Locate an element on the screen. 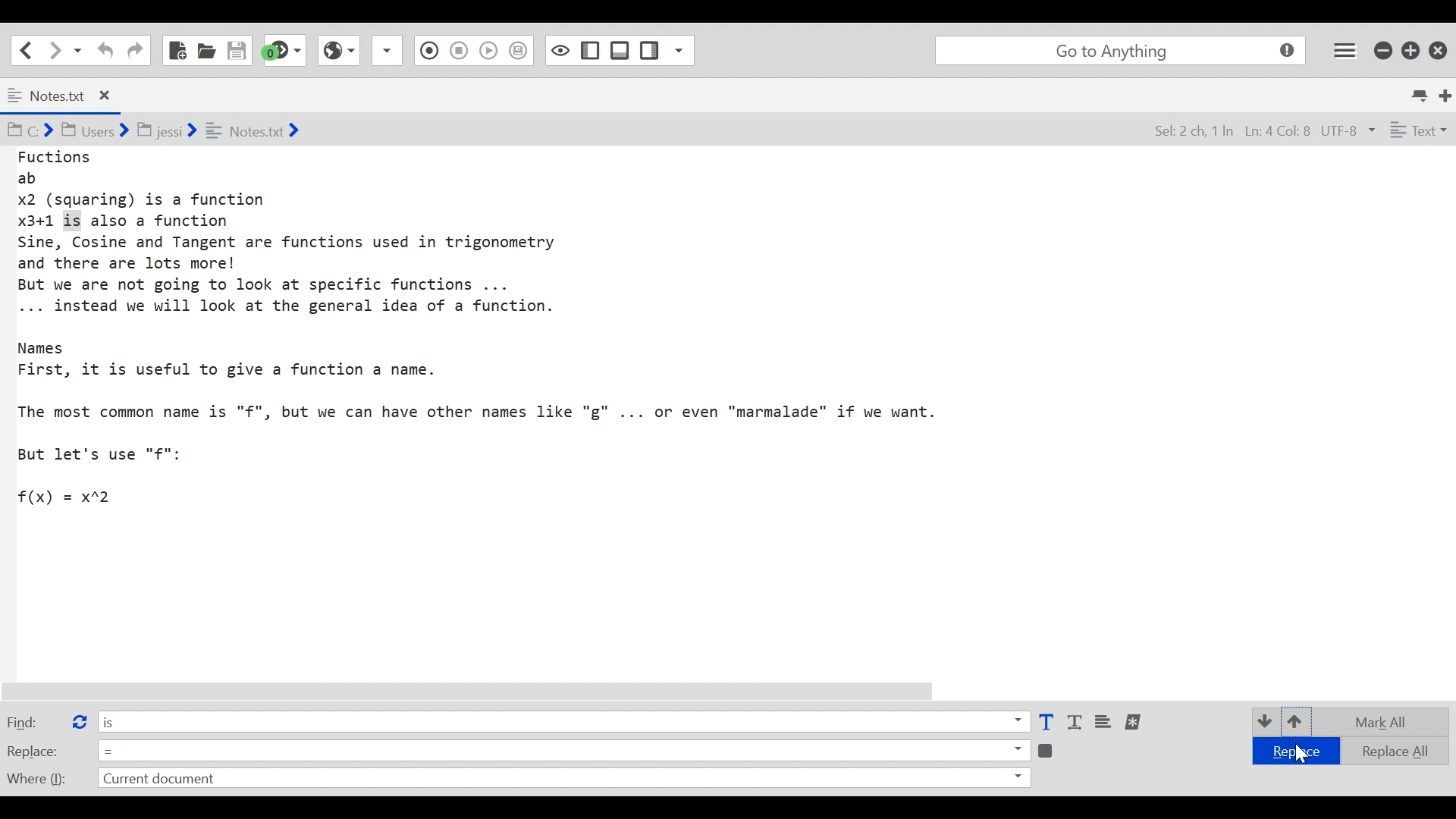  Ln: 17 Col: 11 UTF-8 is located at coordinates (1307, 132).